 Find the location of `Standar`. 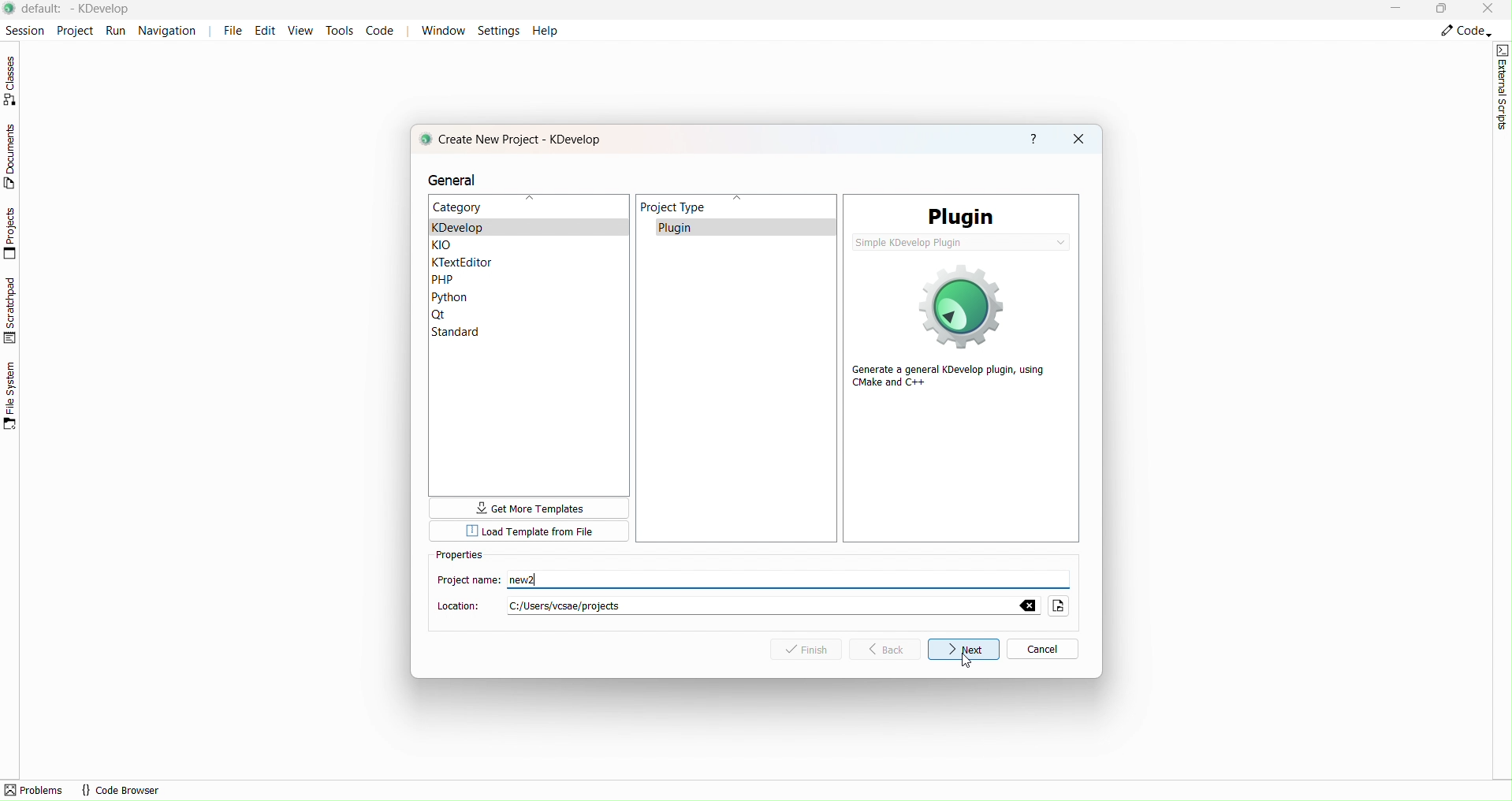

Standar is located at coordinates (465, 333).